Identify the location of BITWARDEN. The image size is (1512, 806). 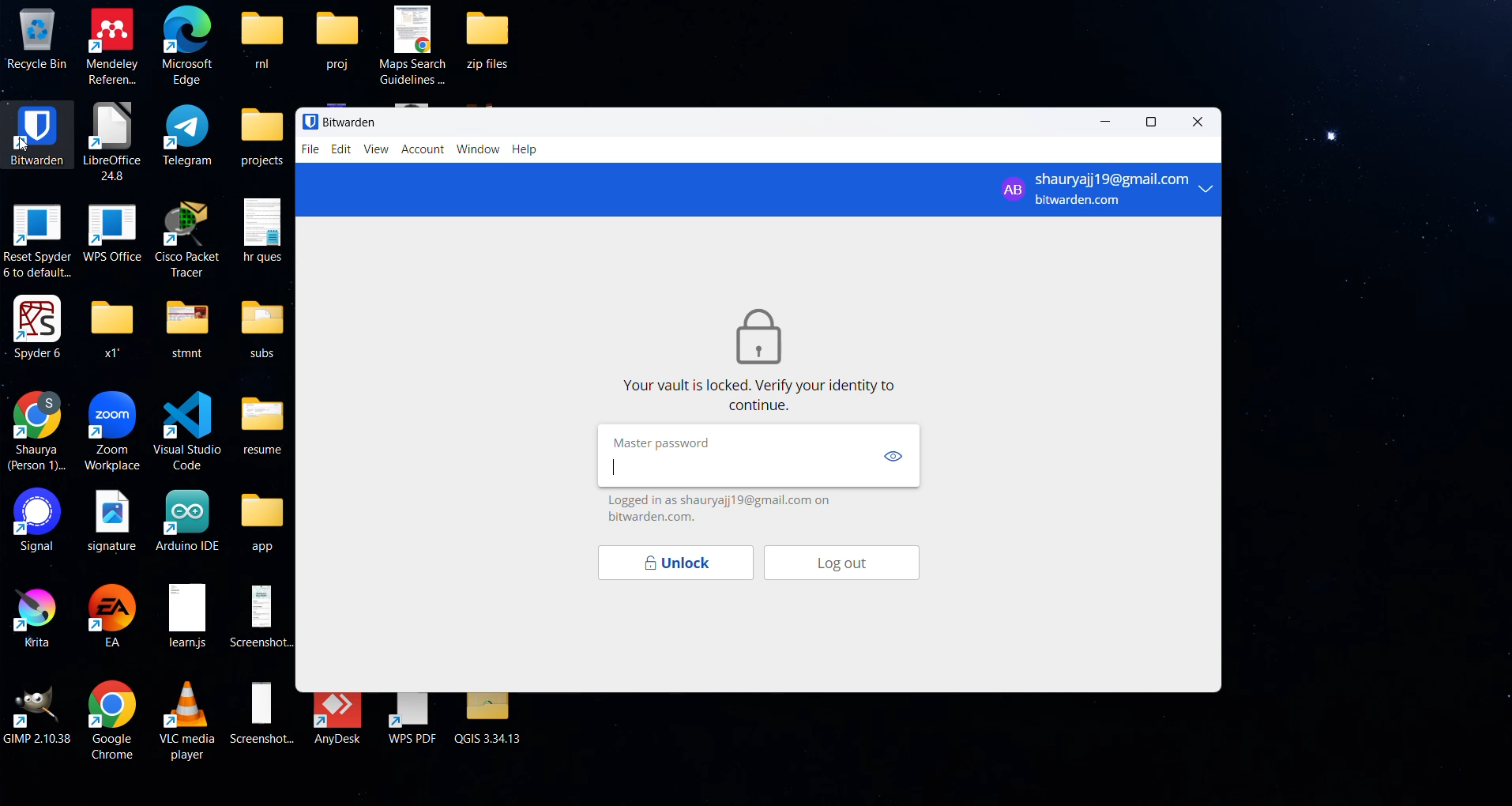
(36, 133).